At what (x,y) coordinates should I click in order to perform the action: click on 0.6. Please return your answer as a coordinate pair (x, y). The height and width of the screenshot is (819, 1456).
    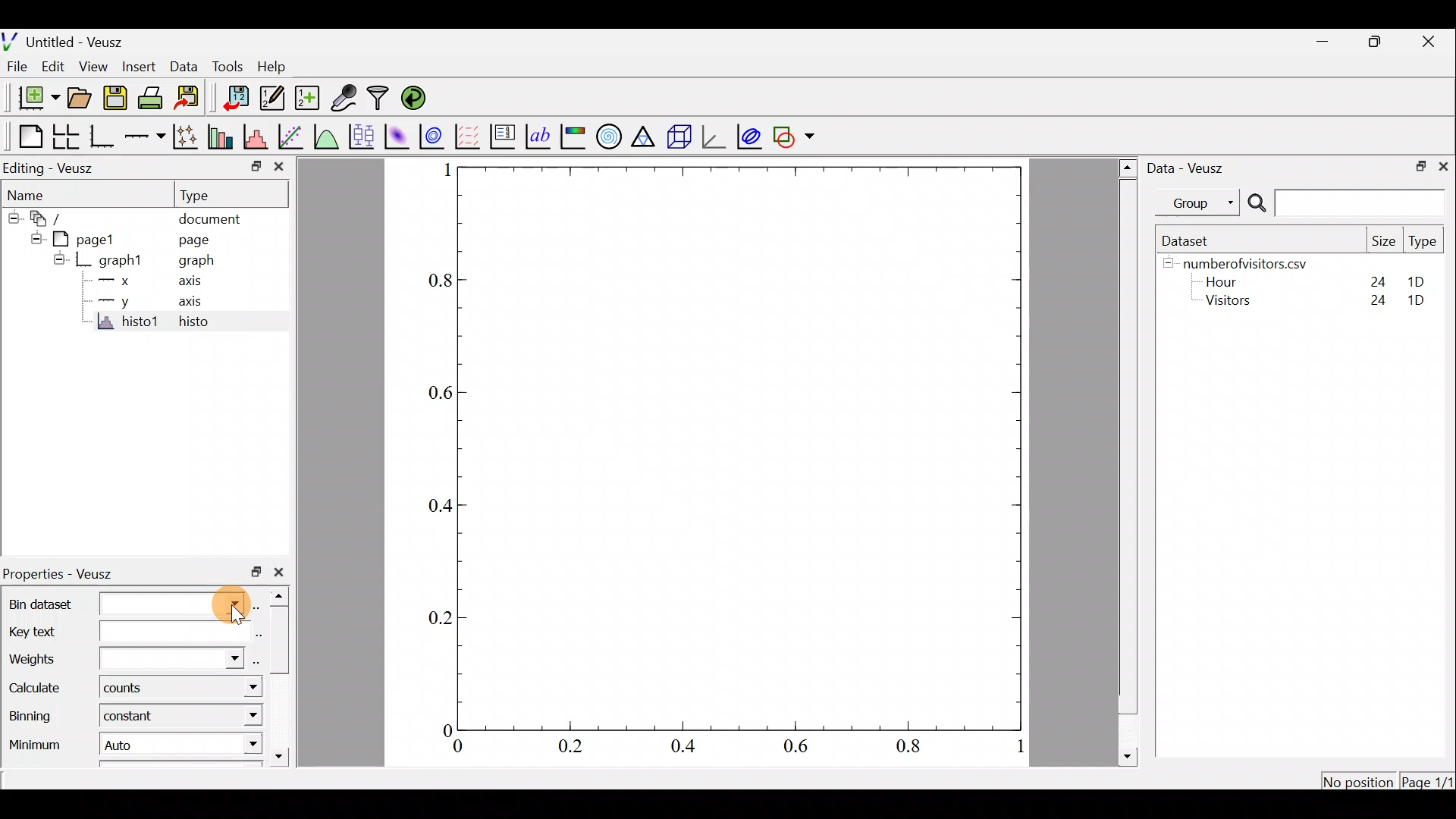
    Looking at the image, I should click on (798, 748).